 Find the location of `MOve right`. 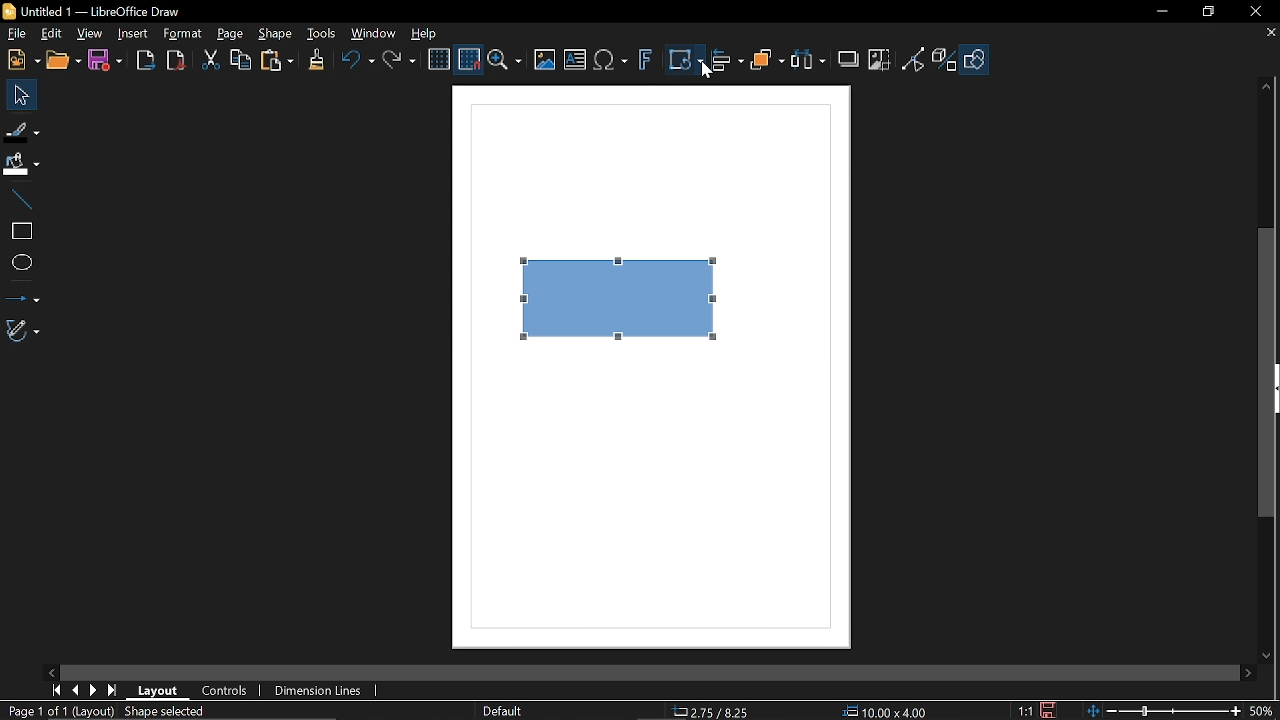

MOve right is located at coordinates (91, 691).